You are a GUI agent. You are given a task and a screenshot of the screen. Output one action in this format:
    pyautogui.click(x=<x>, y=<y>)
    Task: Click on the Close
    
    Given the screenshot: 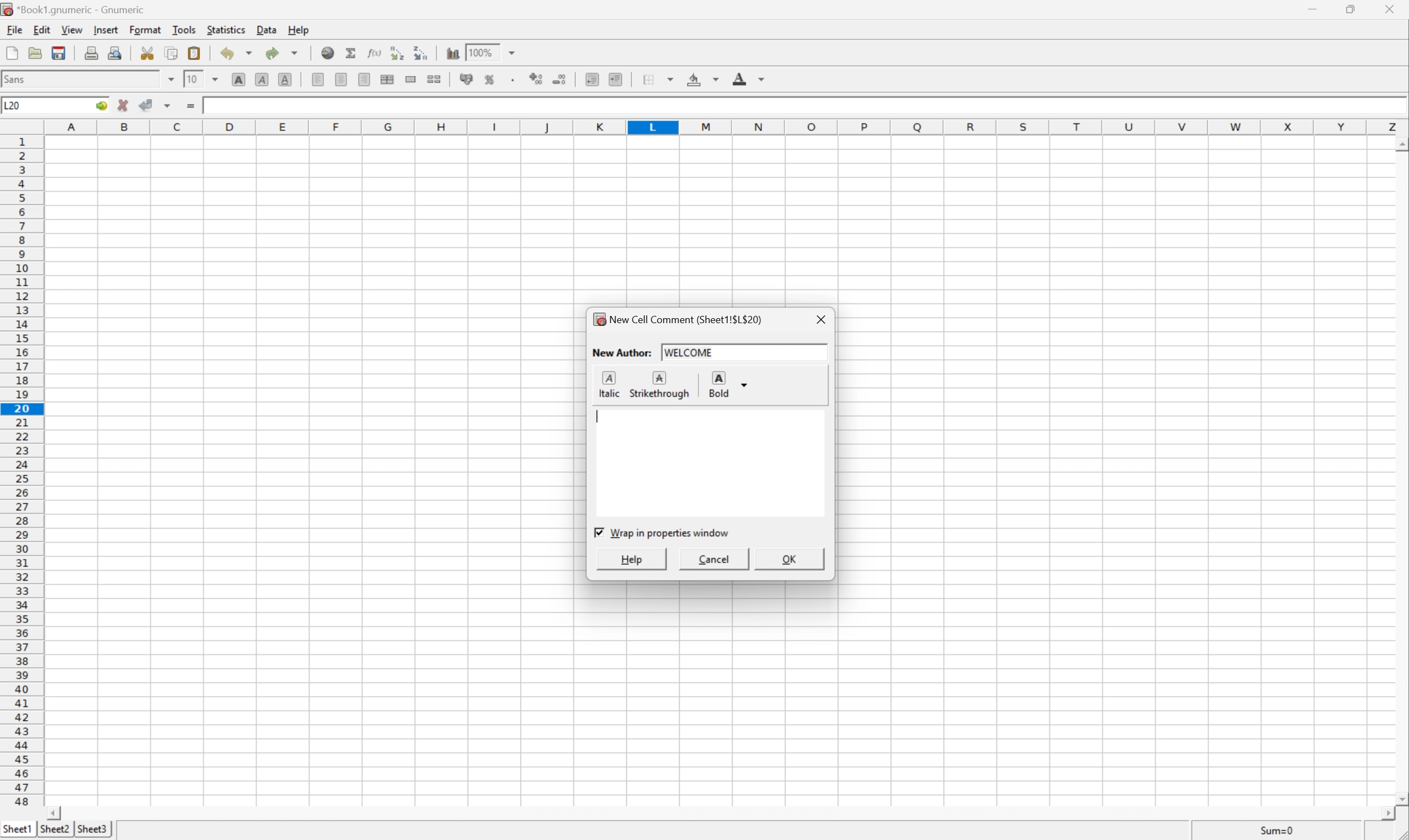 What is the action you would take?
    pyautogui.click(x=1389, y=9)
    